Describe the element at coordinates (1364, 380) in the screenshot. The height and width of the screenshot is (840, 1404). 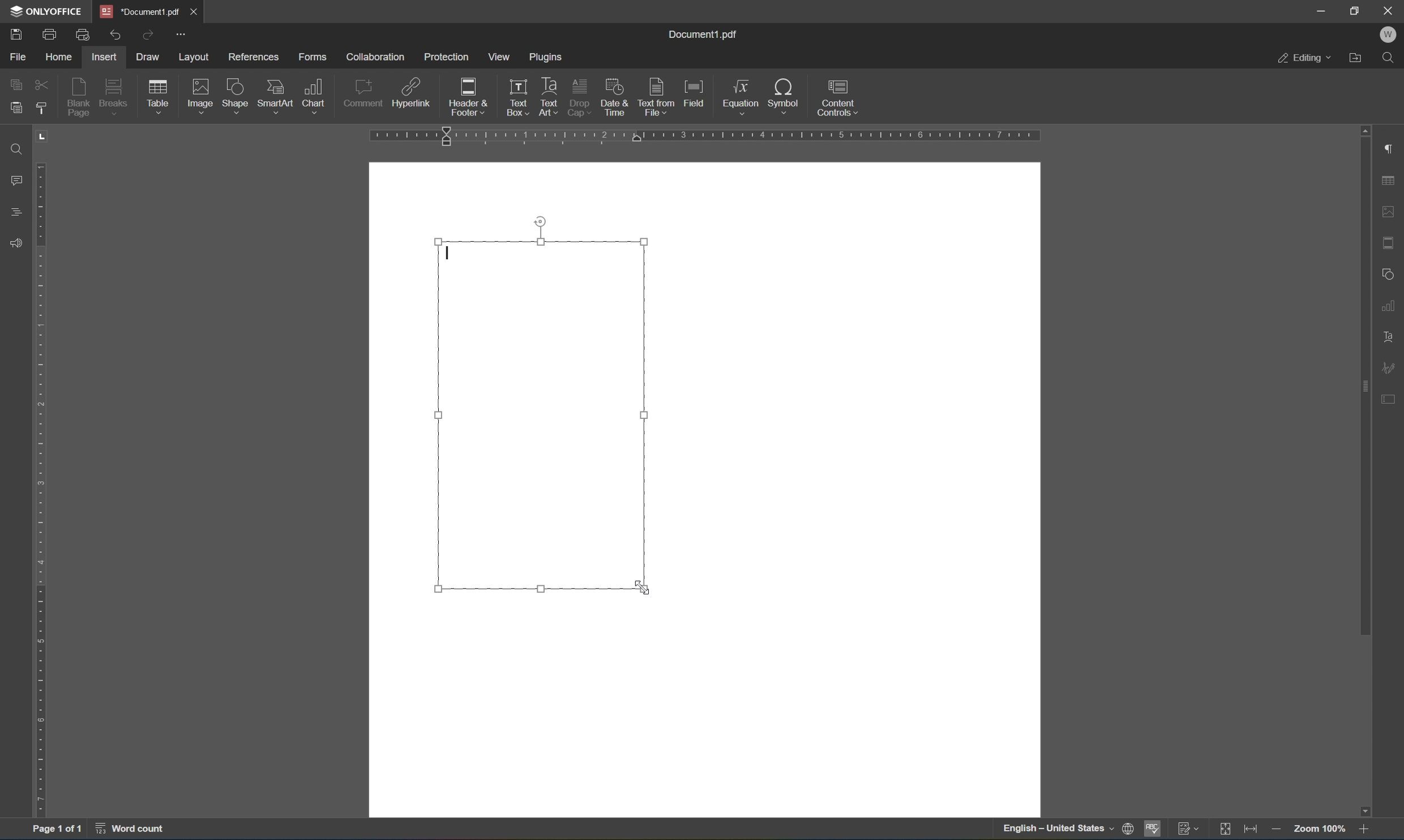
I see `scroll bar settings` at that location.